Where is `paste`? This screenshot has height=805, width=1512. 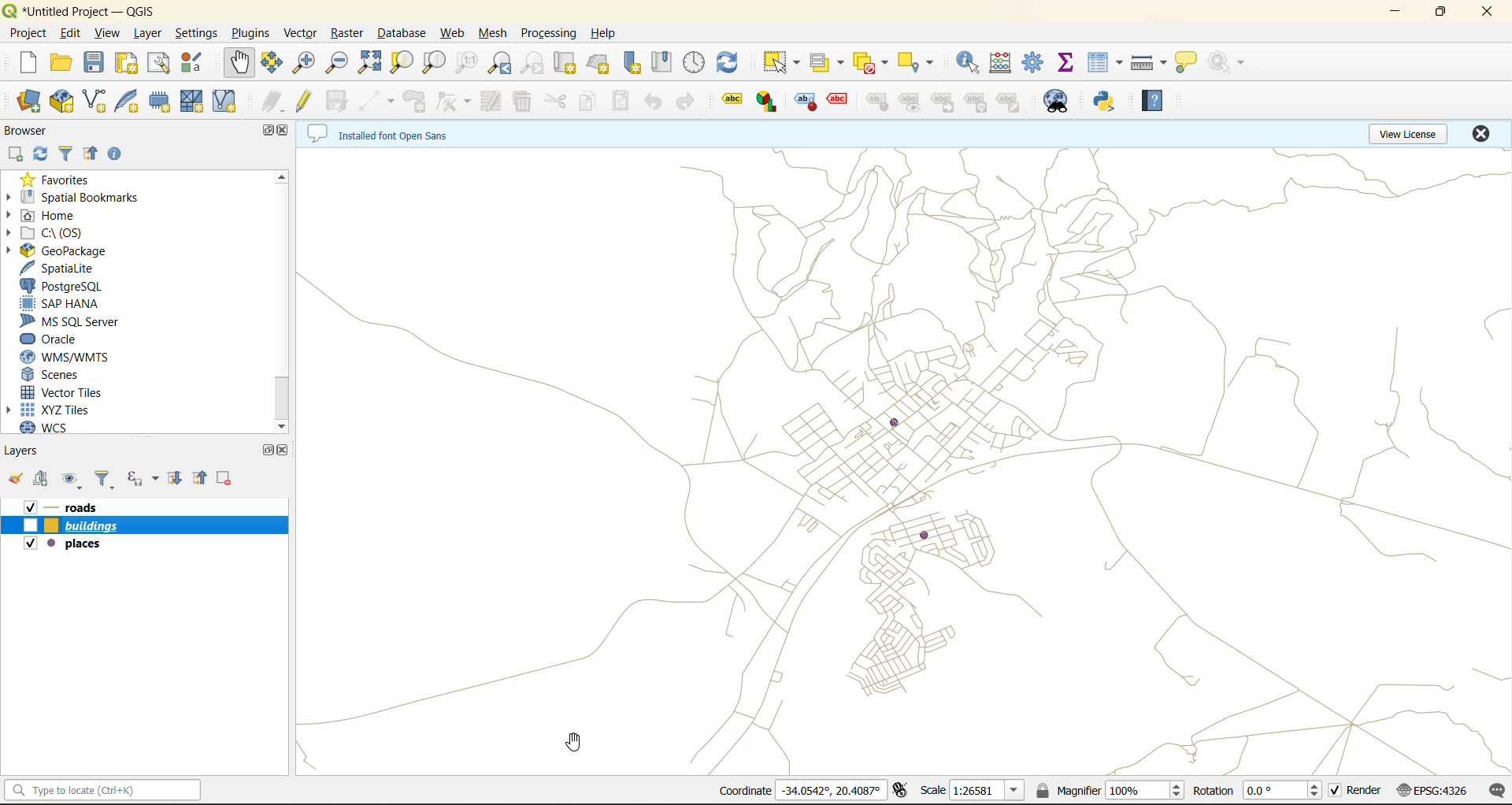 paste is located at coordinates (620, 103).